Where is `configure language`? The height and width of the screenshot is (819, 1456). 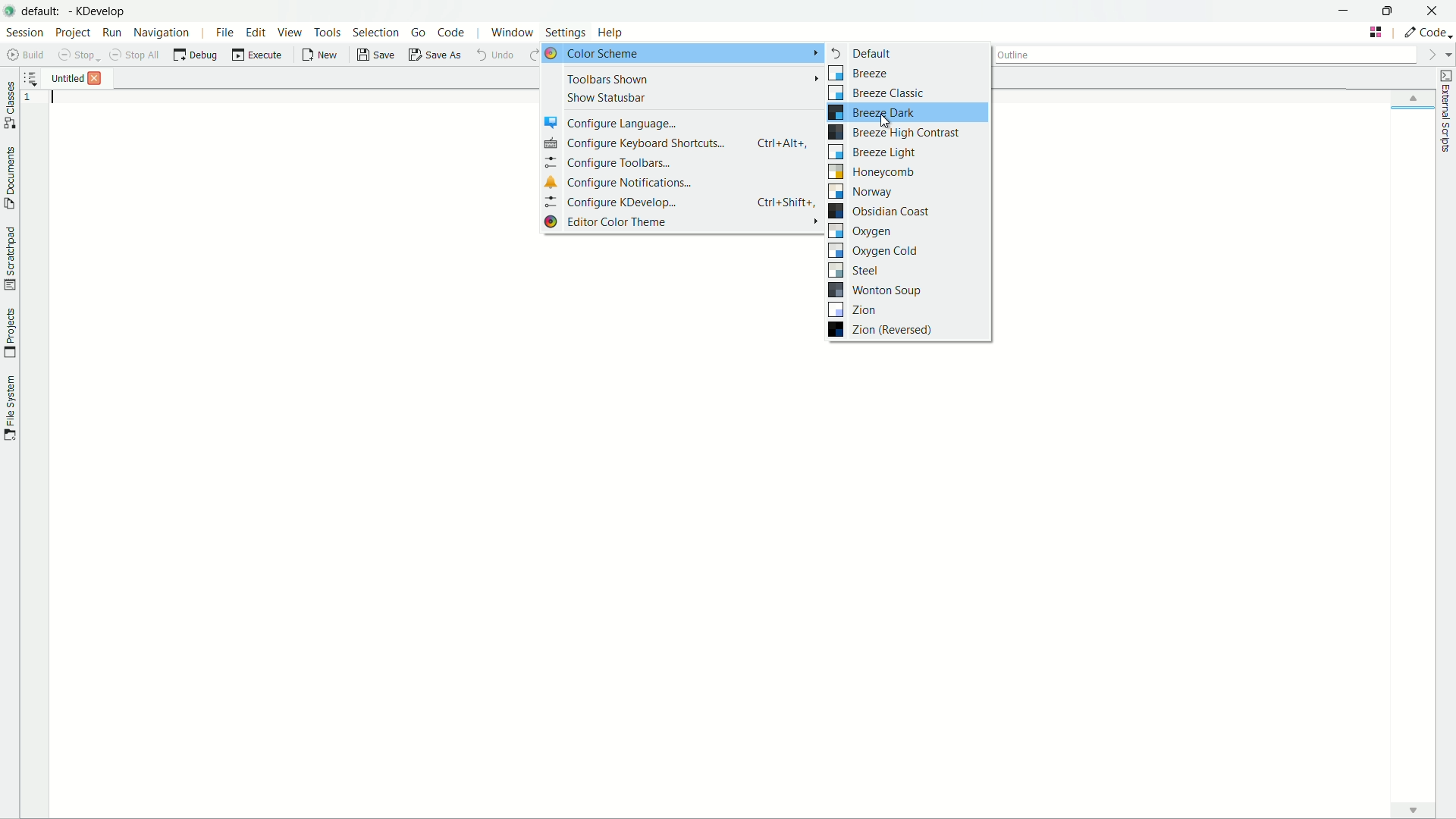
configure language is located at coordinates (614, 122).